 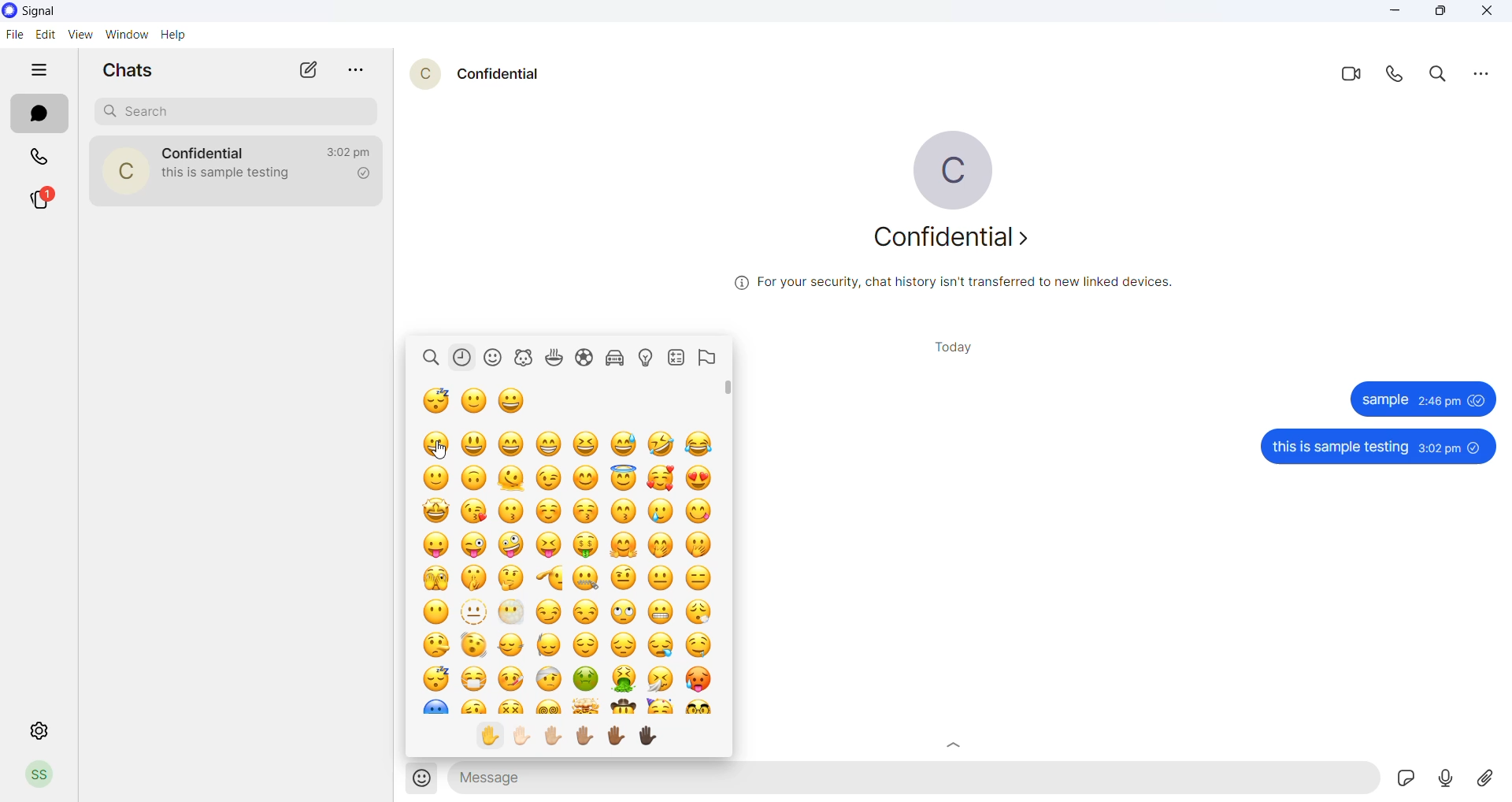 What do you see at coordinates (41, 13) in the screenshot?
I see `application name and logo` at bounding box center [41, 13].